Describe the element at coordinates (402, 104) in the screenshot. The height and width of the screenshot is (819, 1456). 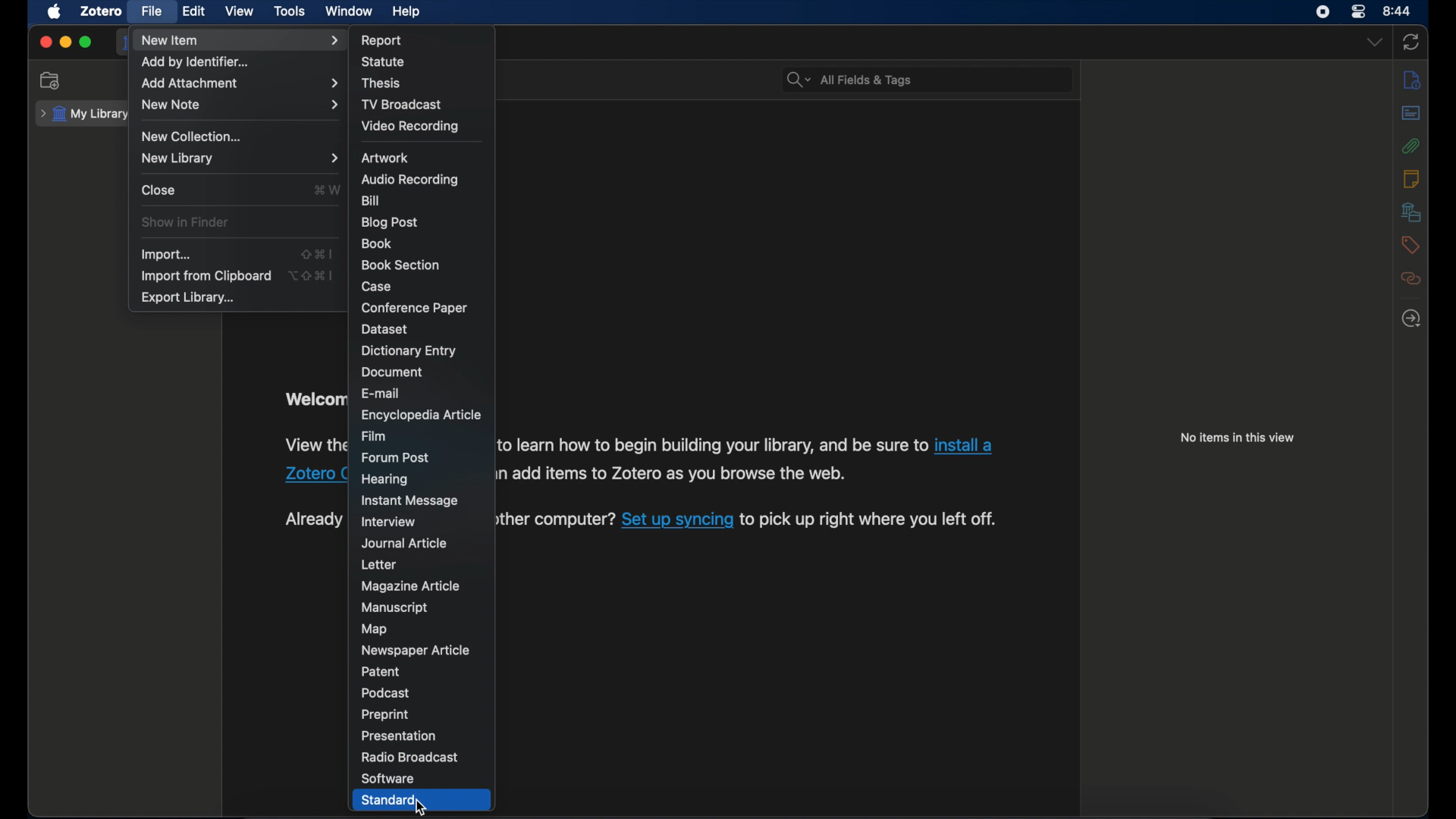
I see `tv broadcast` at that location.